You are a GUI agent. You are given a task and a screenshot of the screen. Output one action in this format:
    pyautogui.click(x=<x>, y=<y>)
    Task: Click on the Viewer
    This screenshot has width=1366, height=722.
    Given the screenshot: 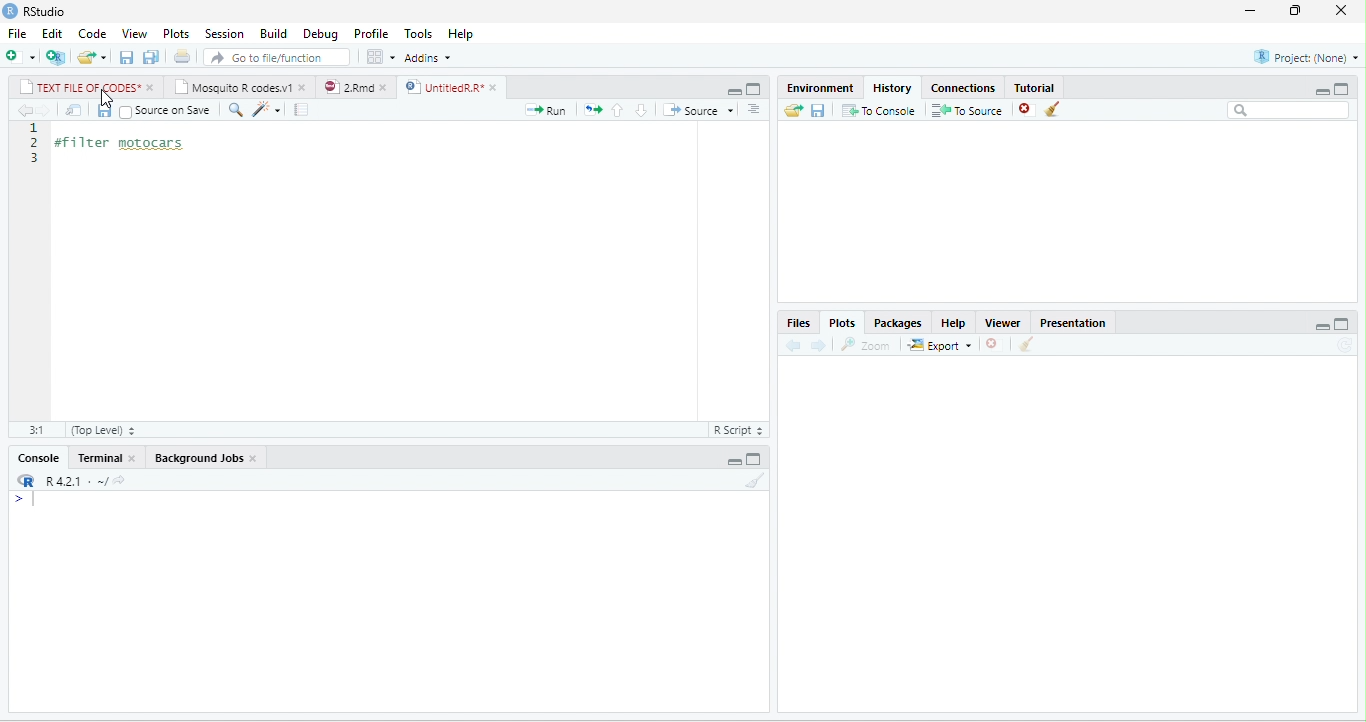 What is the action you would take?
    pyautogui.click(x=1002, y=323)
    